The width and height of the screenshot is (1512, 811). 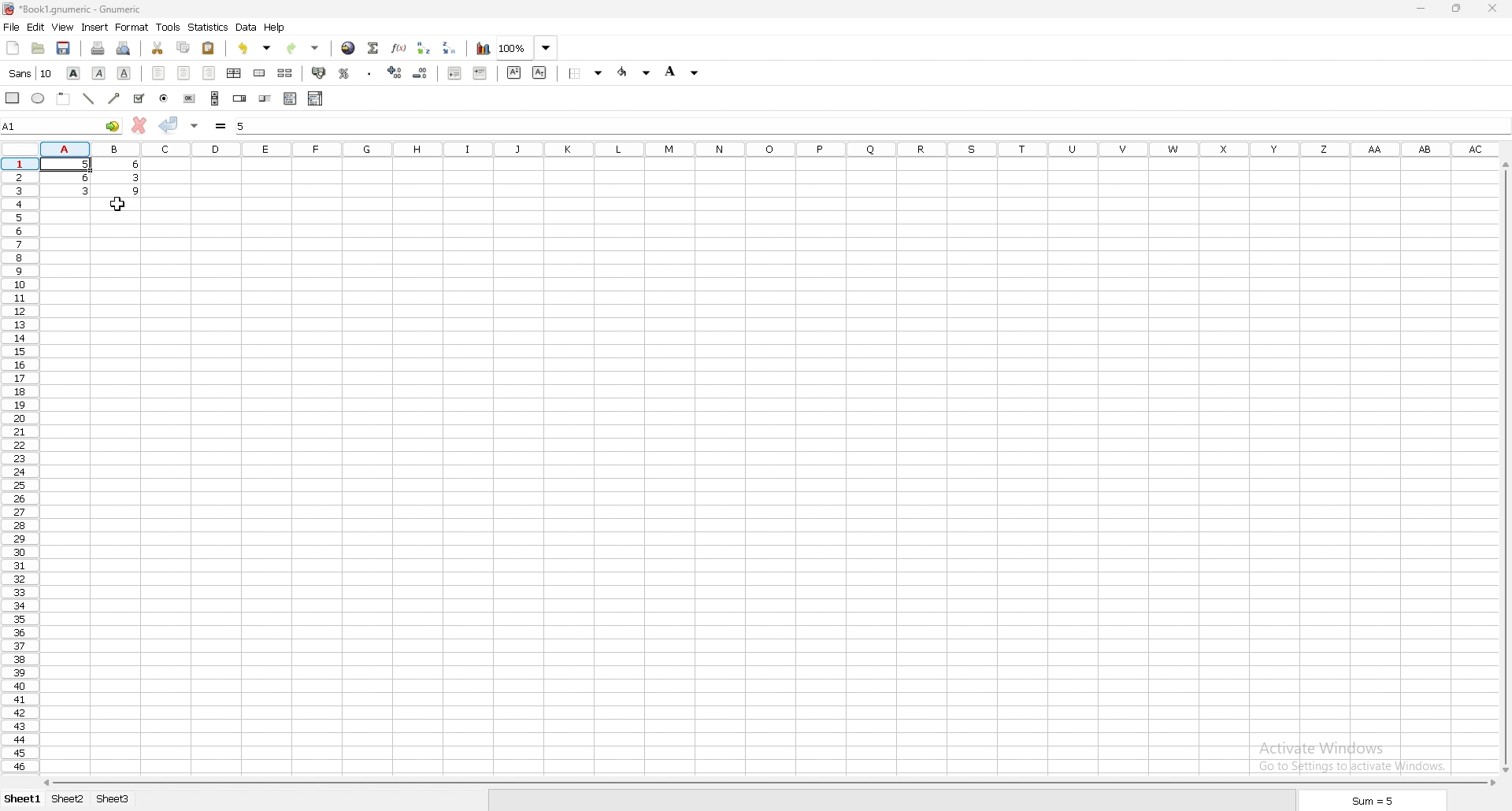 I want to click on function, so click(x=399, y=47).